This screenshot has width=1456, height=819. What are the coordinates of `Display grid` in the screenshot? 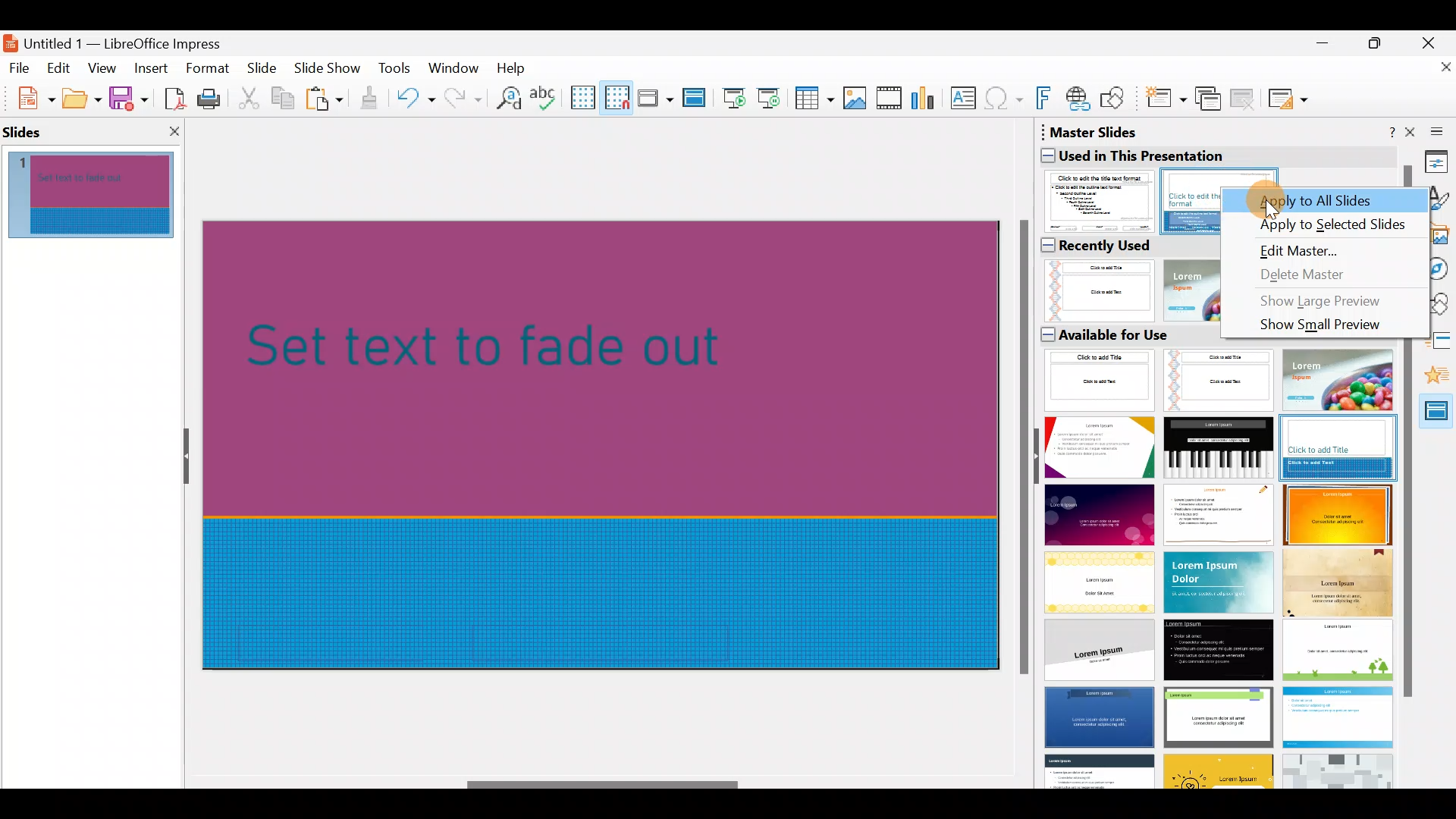 It's located at (582, 96).